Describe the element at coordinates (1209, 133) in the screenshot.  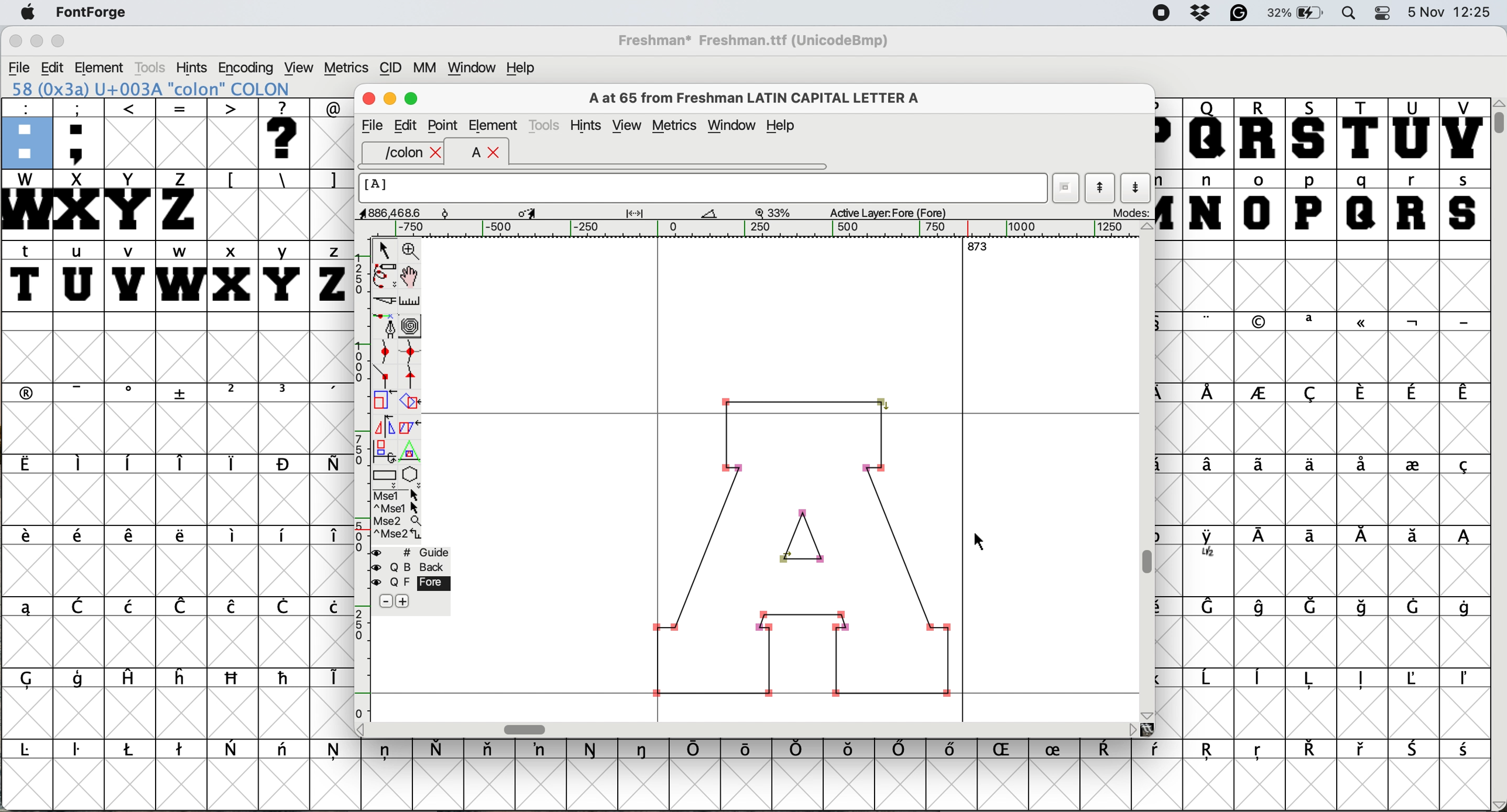
I see `Q` at that location.